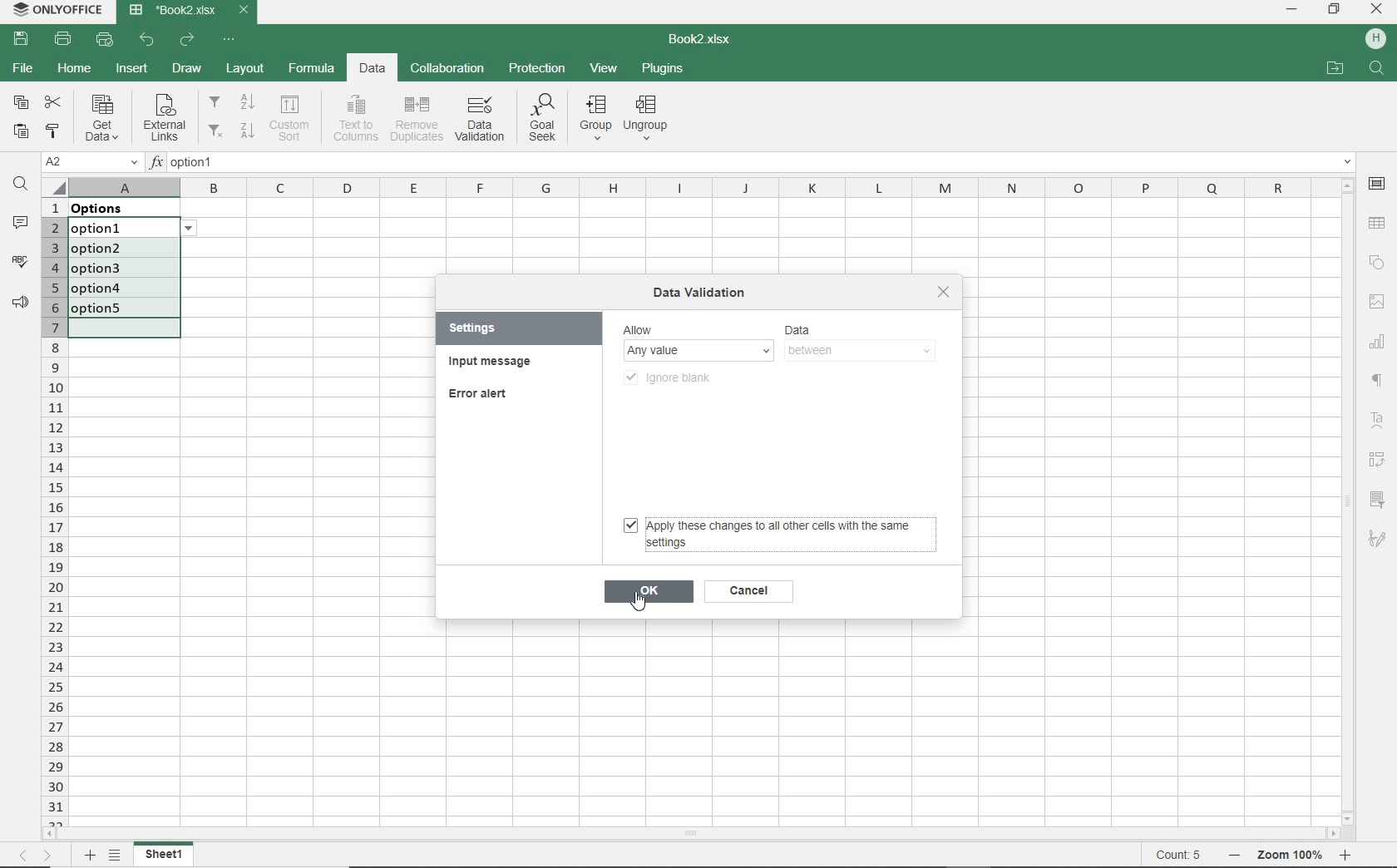 The height and width of the screenshot is (868, 1397). What do you see at coordinates (705, 291) in the screenshot?
I see `DATA VALIDATION` at bounding box center [705, 291].